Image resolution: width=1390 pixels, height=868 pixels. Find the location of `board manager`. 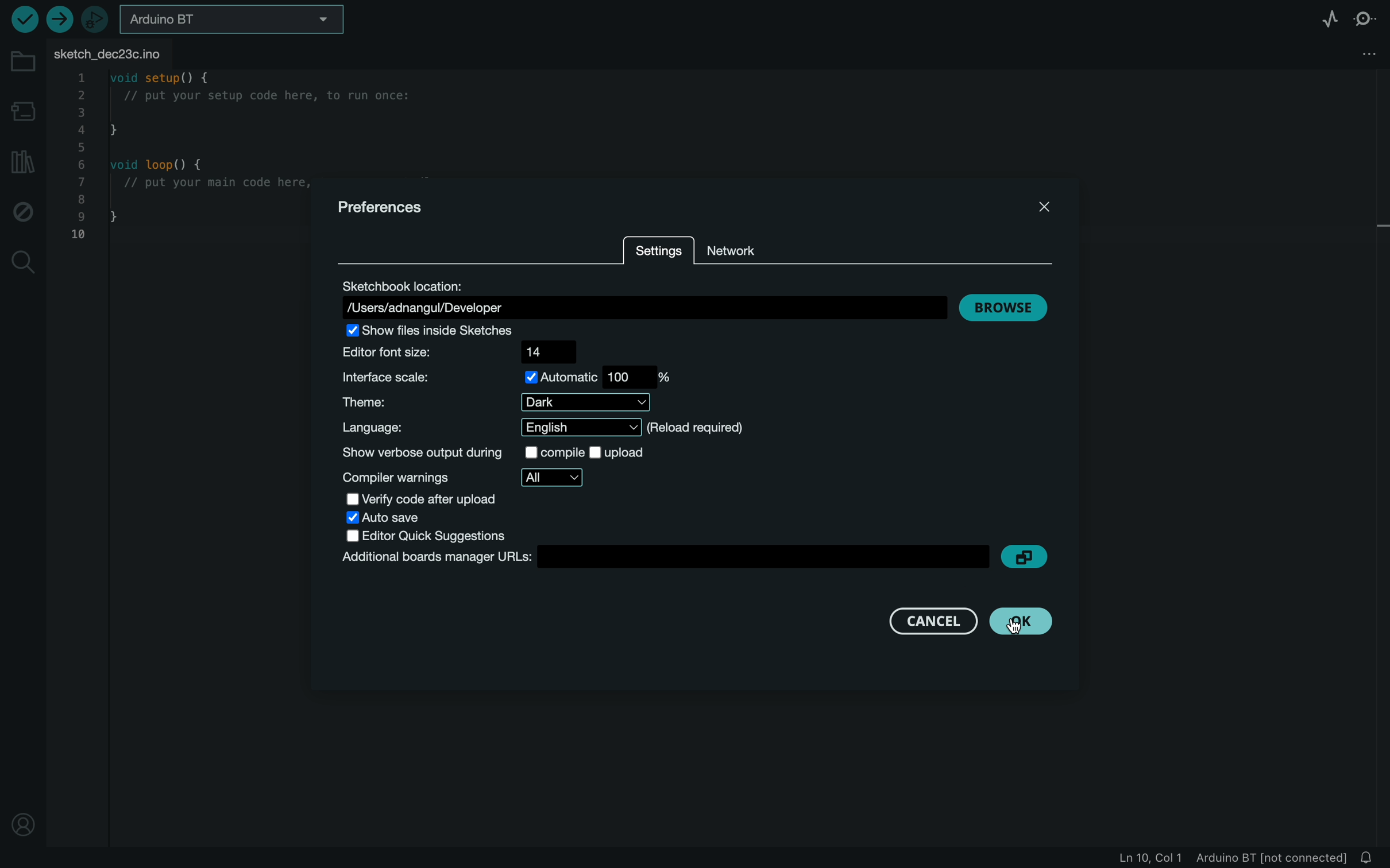

board manager is located at coordinates (22, 108).